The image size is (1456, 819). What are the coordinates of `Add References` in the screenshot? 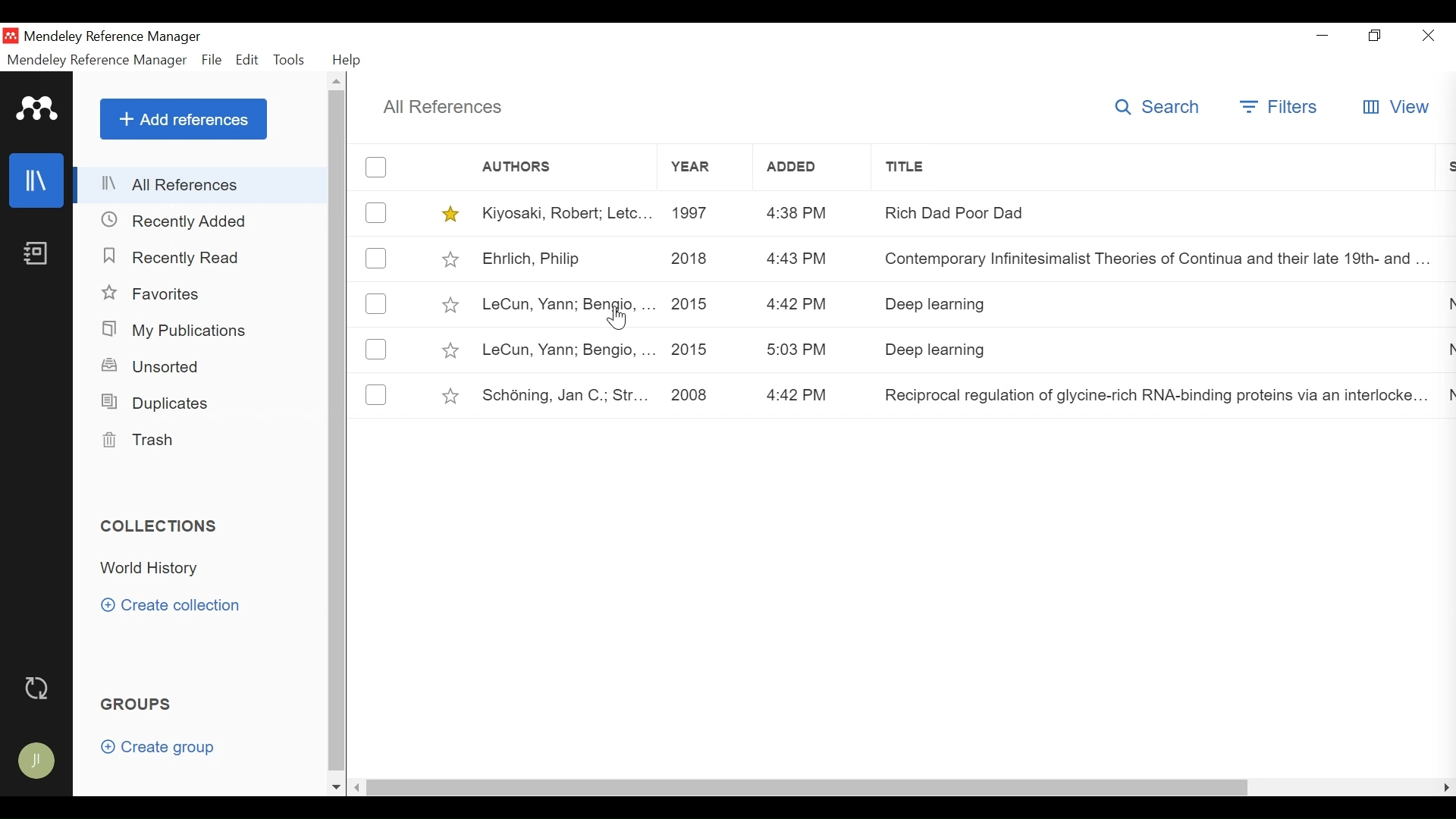 It's located at (184, 119).